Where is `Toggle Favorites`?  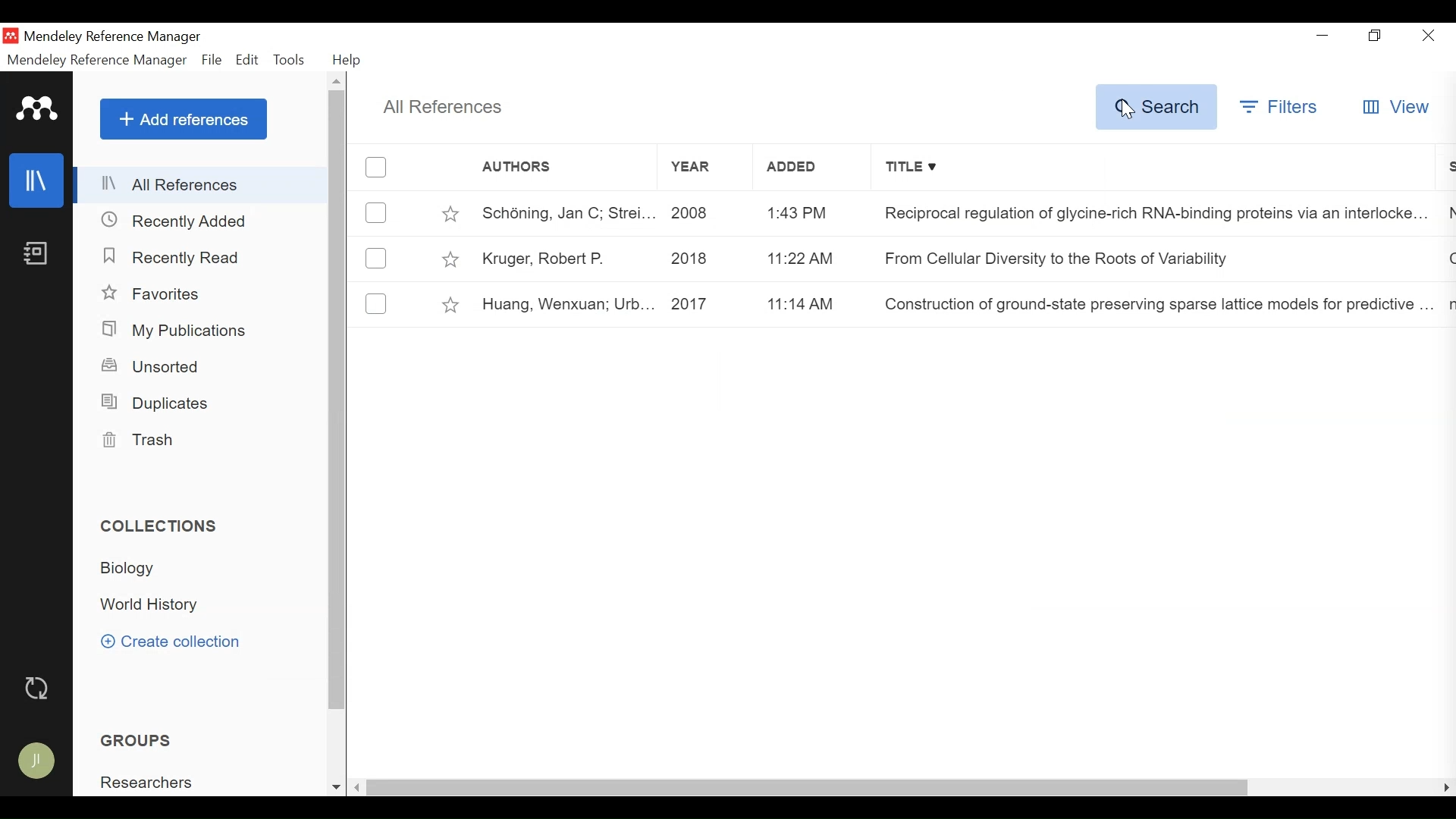
Toggle Favorites is located at coordinates (451, 259).